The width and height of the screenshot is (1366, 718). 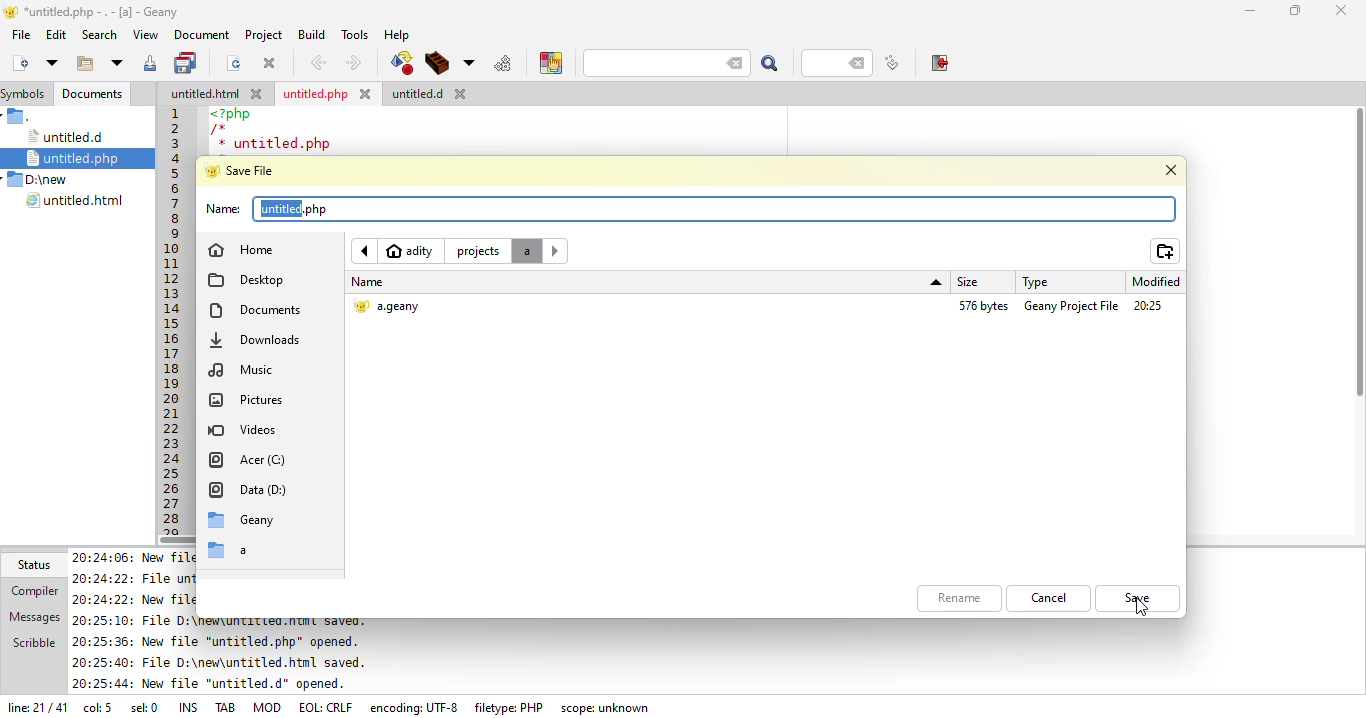 I want to click on close, so click(x=1172, y=168).